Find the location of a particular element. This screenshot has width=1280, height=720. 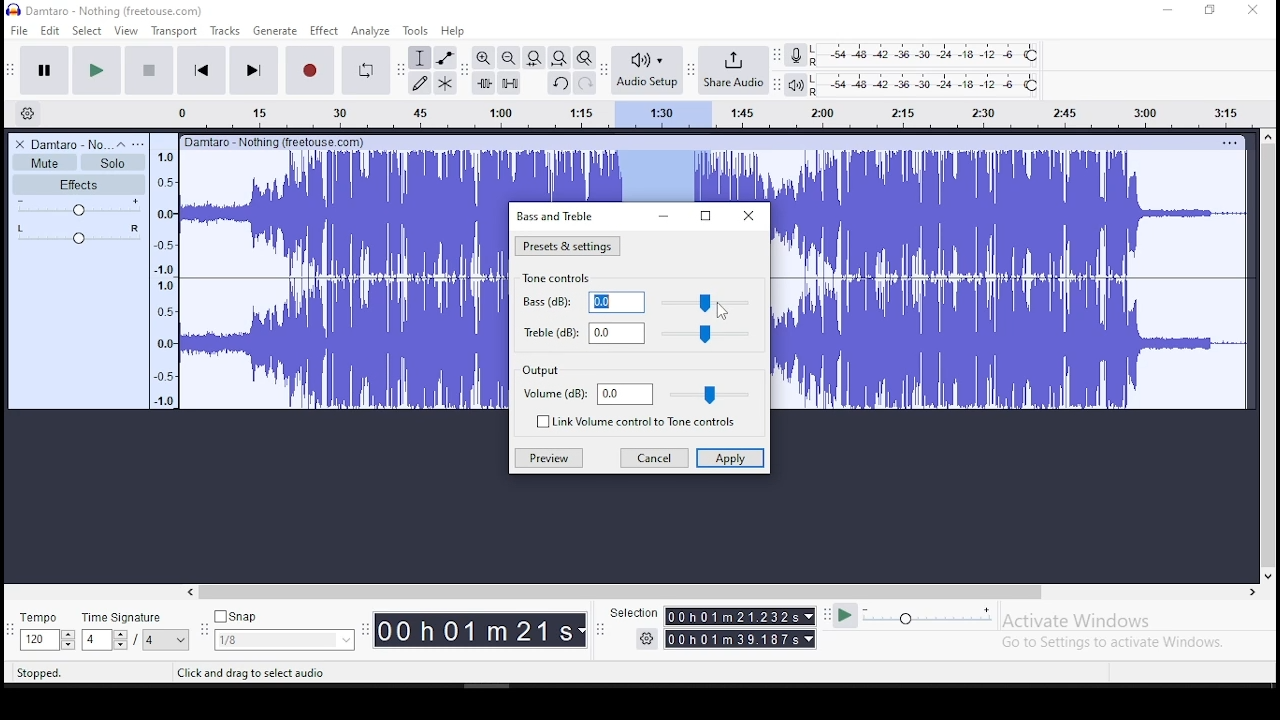

close is located at coordinates (1252, 11).